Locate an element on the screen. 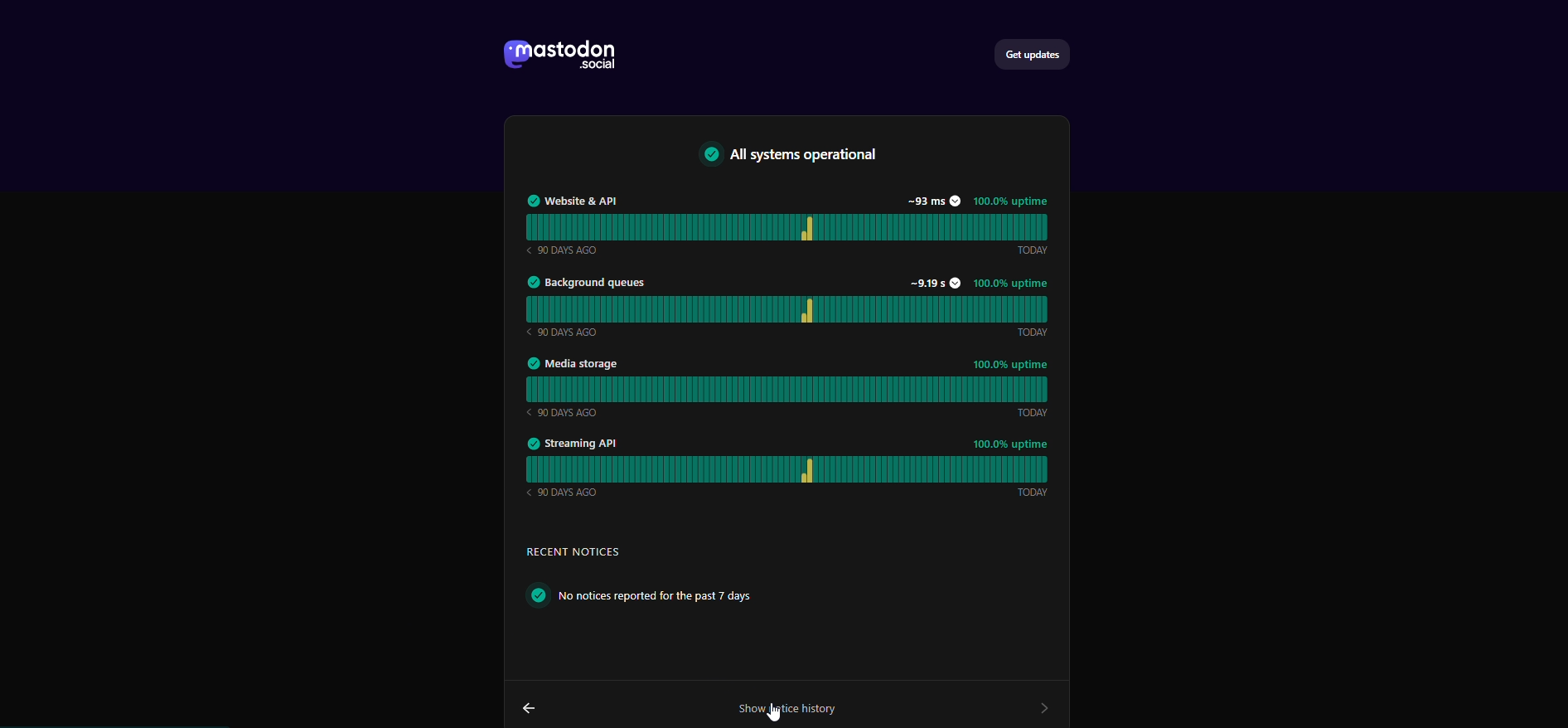 The image size is (1568, 728). back is located at coordinates (532, 701).